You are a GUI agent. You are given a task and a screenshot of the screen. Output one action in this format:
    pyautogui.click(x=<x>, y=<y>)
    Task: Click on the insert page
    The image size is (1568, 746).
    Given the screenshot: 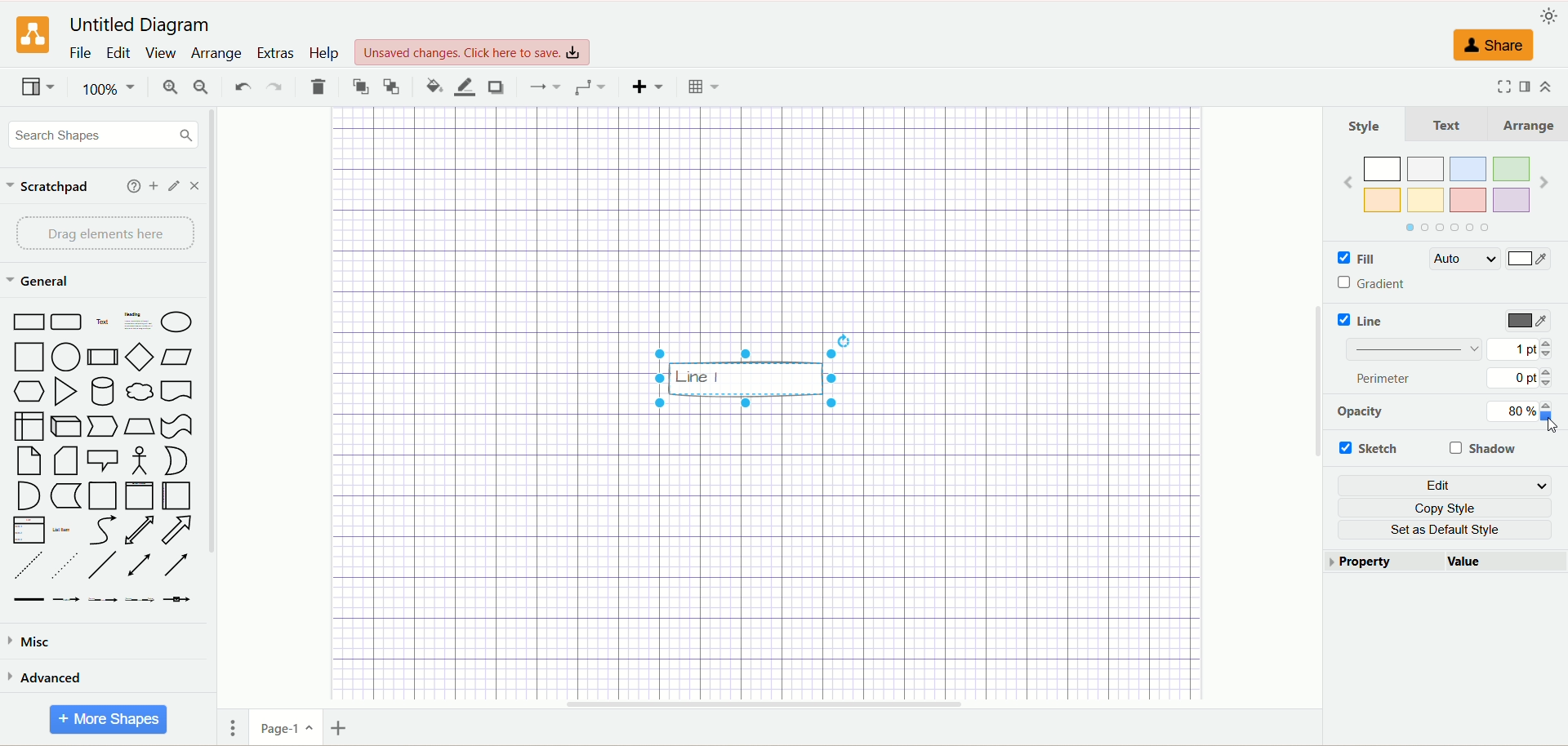 What is the action you would take?
    pyautogui.click(x=341, y=726)
    